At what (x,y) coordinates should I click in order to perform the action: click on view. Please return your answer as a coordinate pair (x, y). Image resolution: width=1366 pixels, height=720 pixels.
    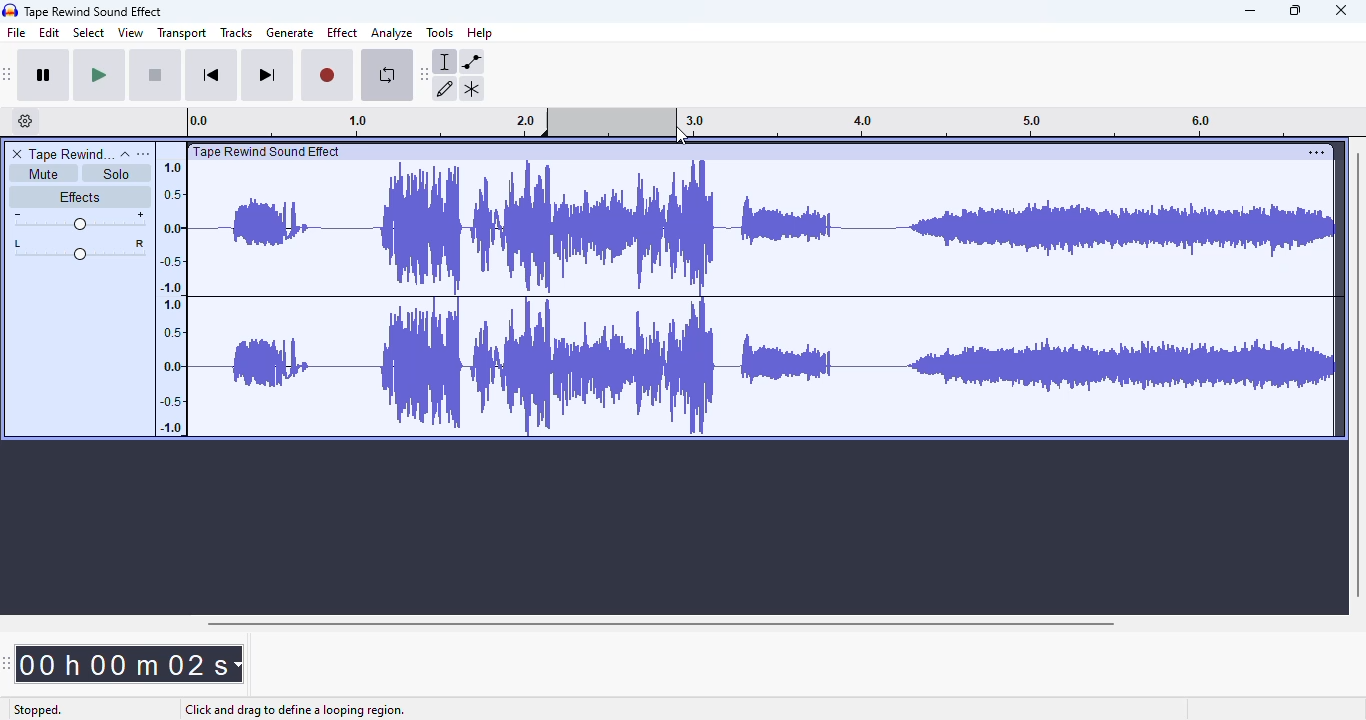
    Looking at the image, I should click on (131, 33).